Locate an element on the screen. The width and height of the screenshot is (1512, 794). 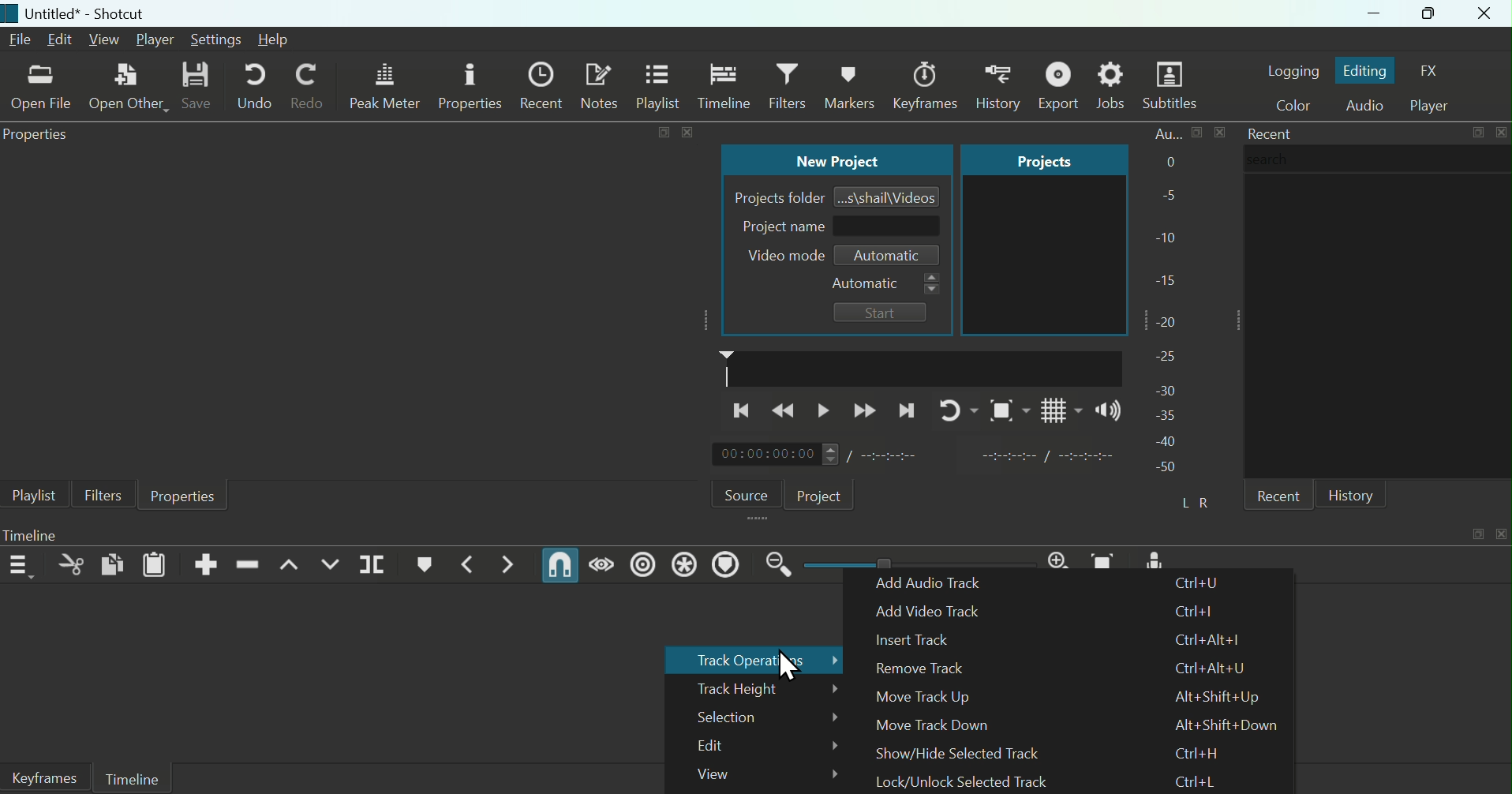
Ripple Markers is located at coordinates (728, 566).